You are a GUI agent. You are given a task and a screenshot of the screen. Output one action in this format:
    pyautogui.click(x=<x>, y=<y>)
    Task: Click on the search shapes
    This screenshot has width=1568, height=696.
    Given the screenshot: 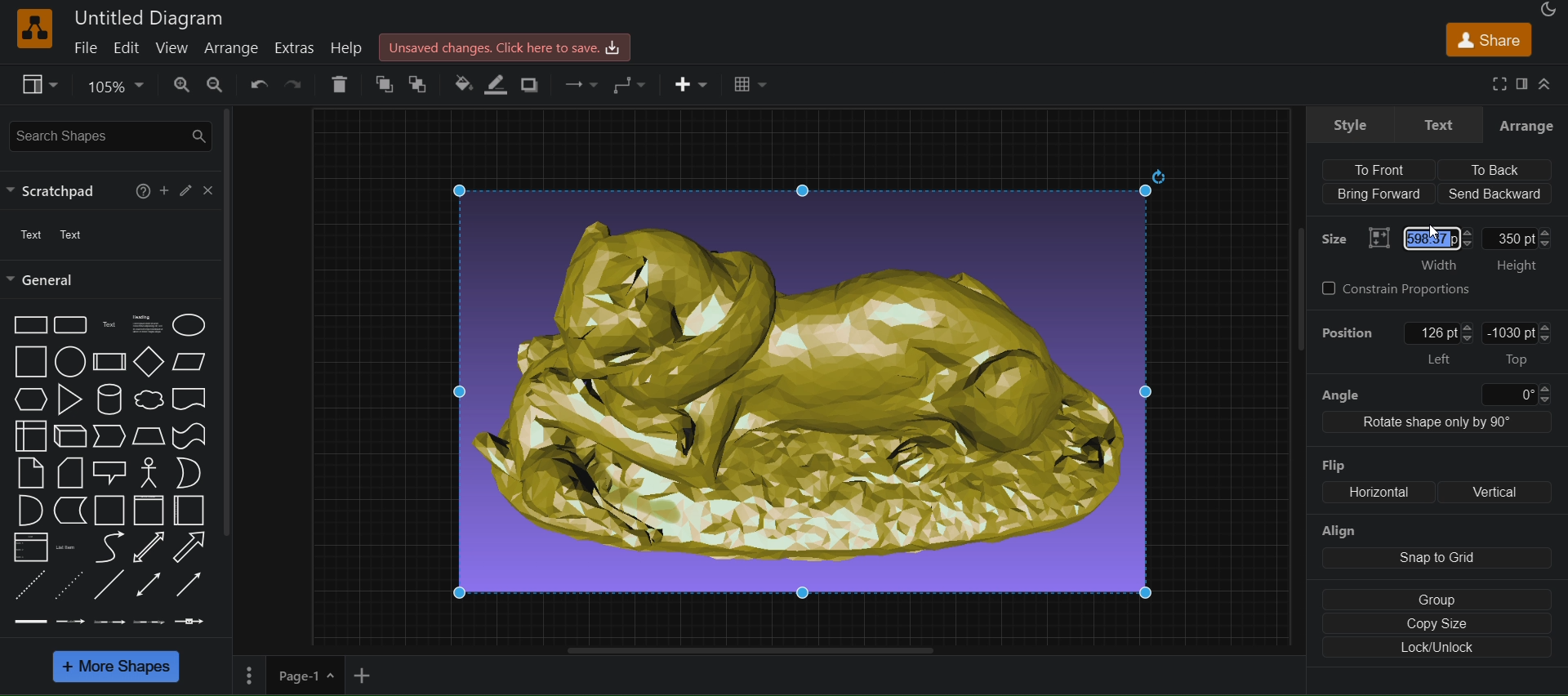 What is the action you would take?
    pyautogui.click(x=108, y=136)
    